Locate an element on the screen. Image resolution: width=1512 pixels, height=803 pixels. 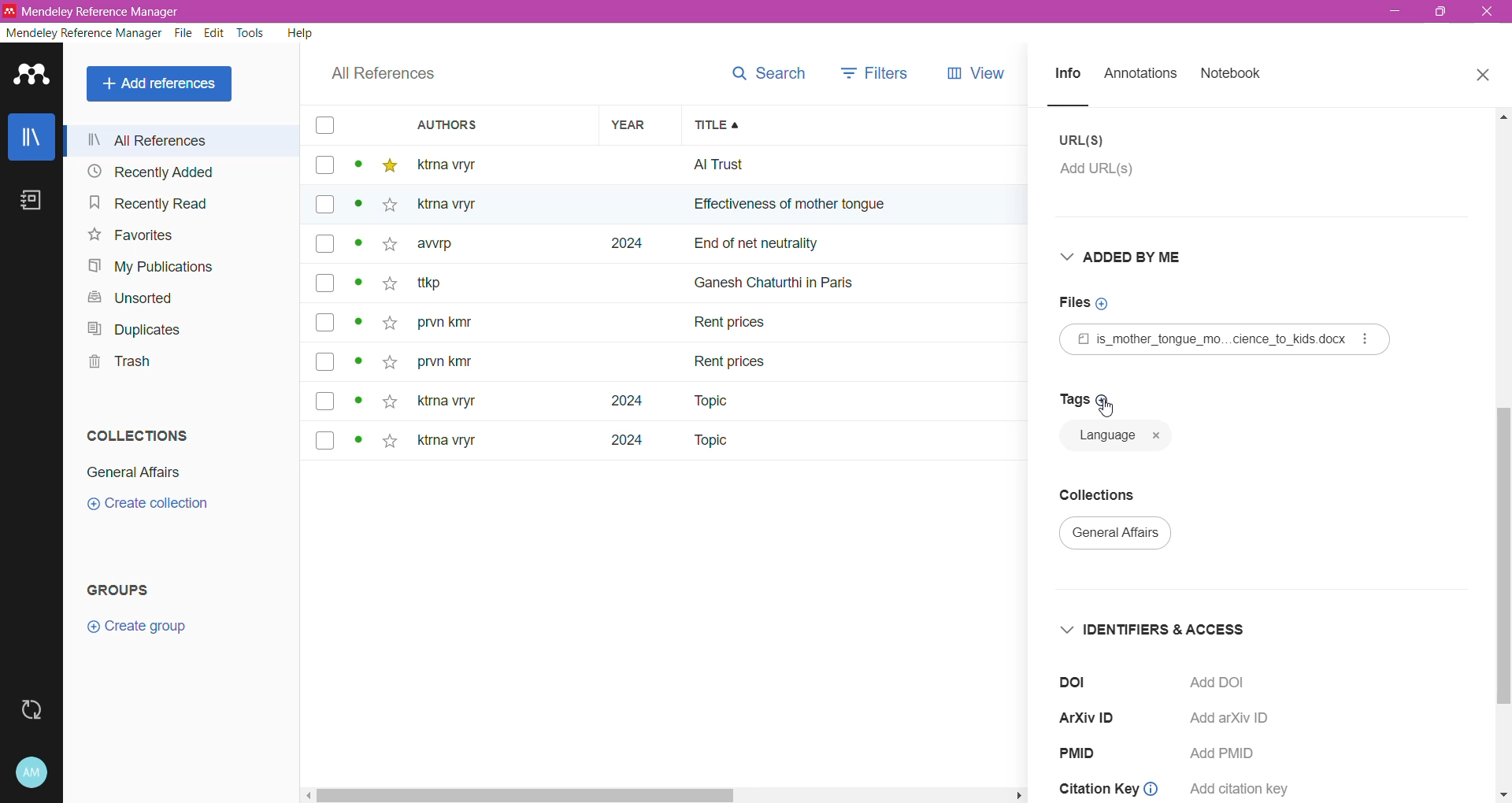
minimize is located at coordinates (1397, 13).